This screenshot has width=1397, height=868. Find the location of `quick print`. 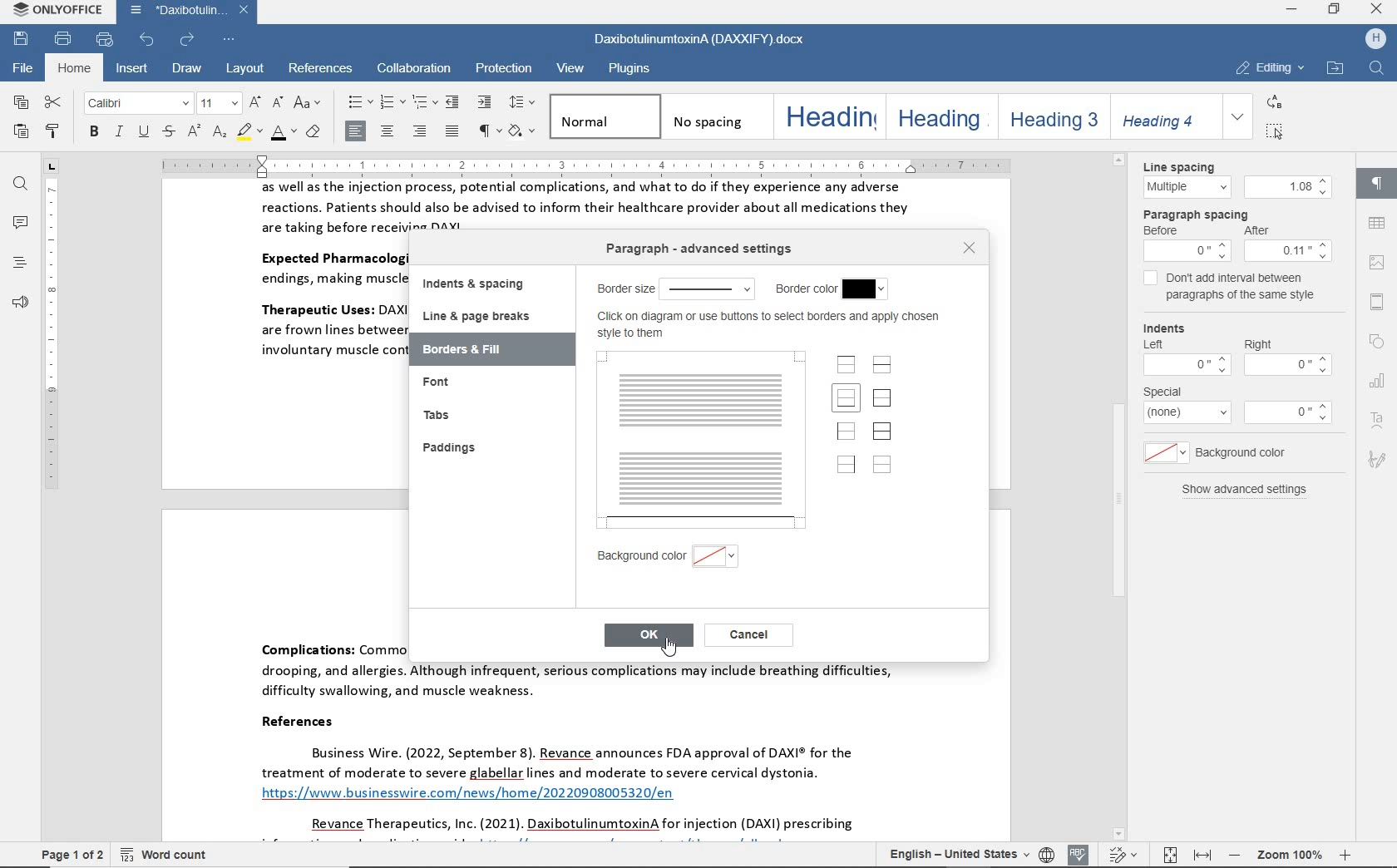

quick print is located at coordinates (106, 40).